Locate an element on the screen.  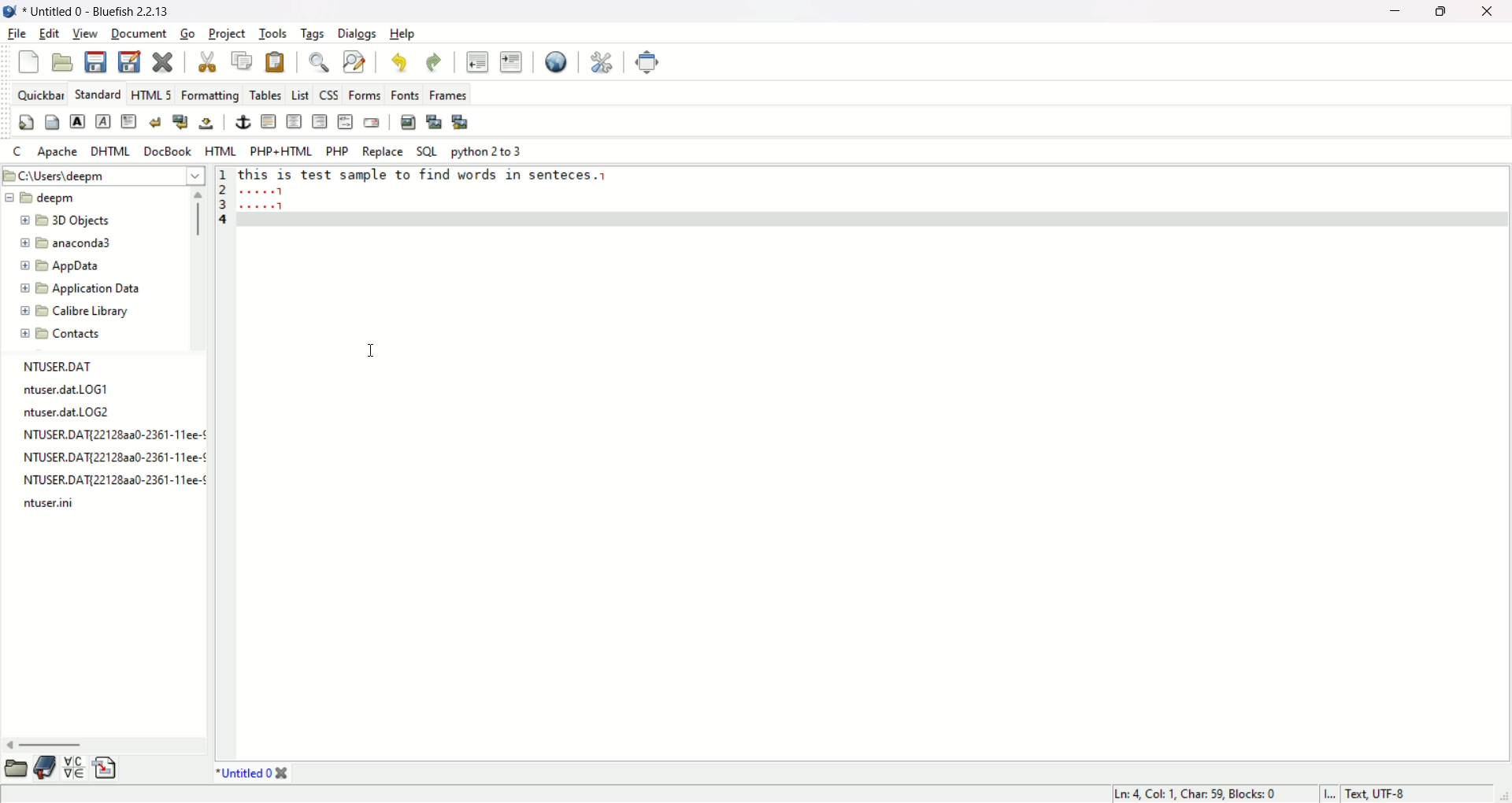
maximize is located at coordinates (1442, 12).